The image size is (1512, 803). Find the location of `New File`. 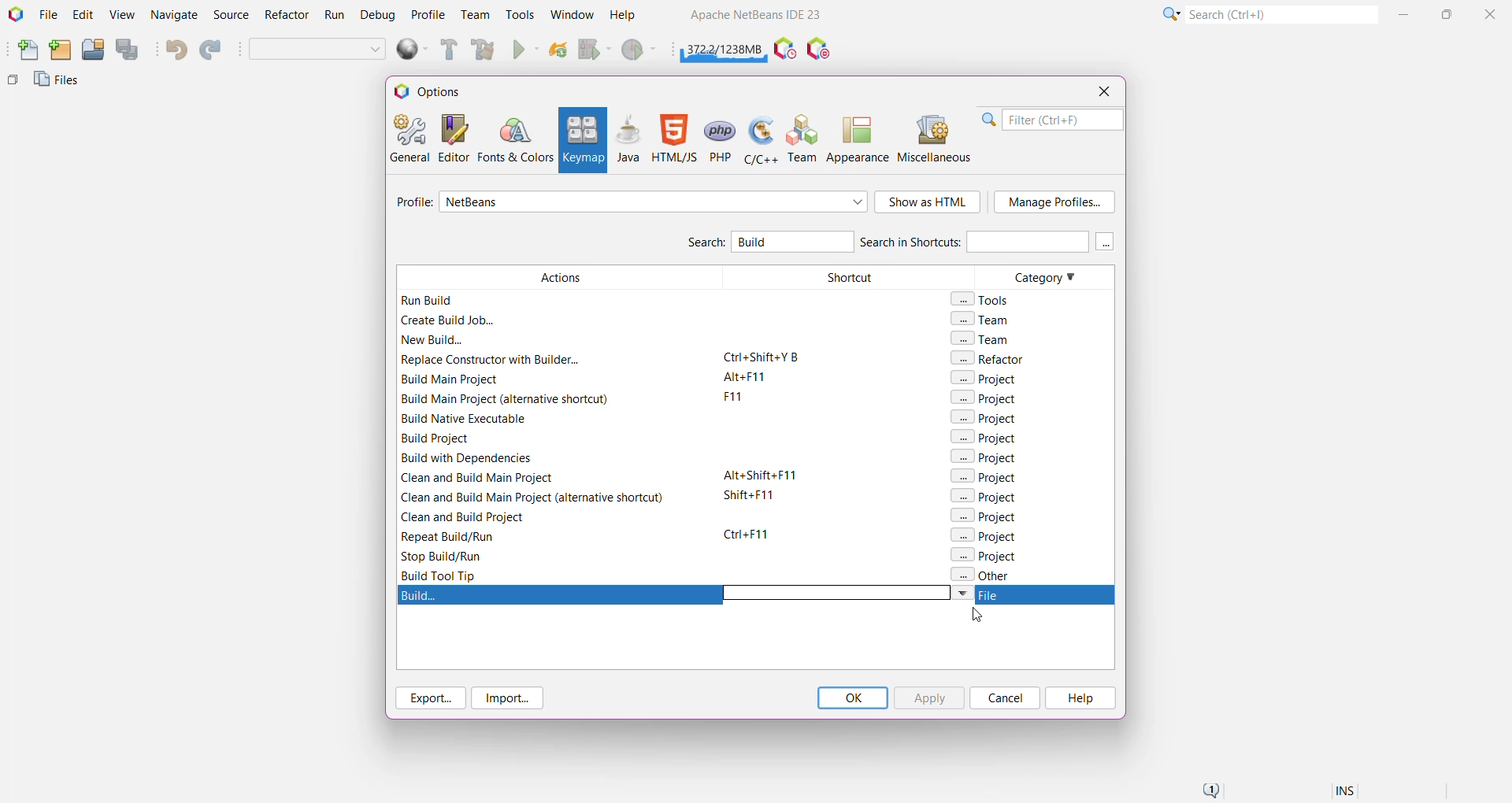

New File is located at coordinates (24, 51).